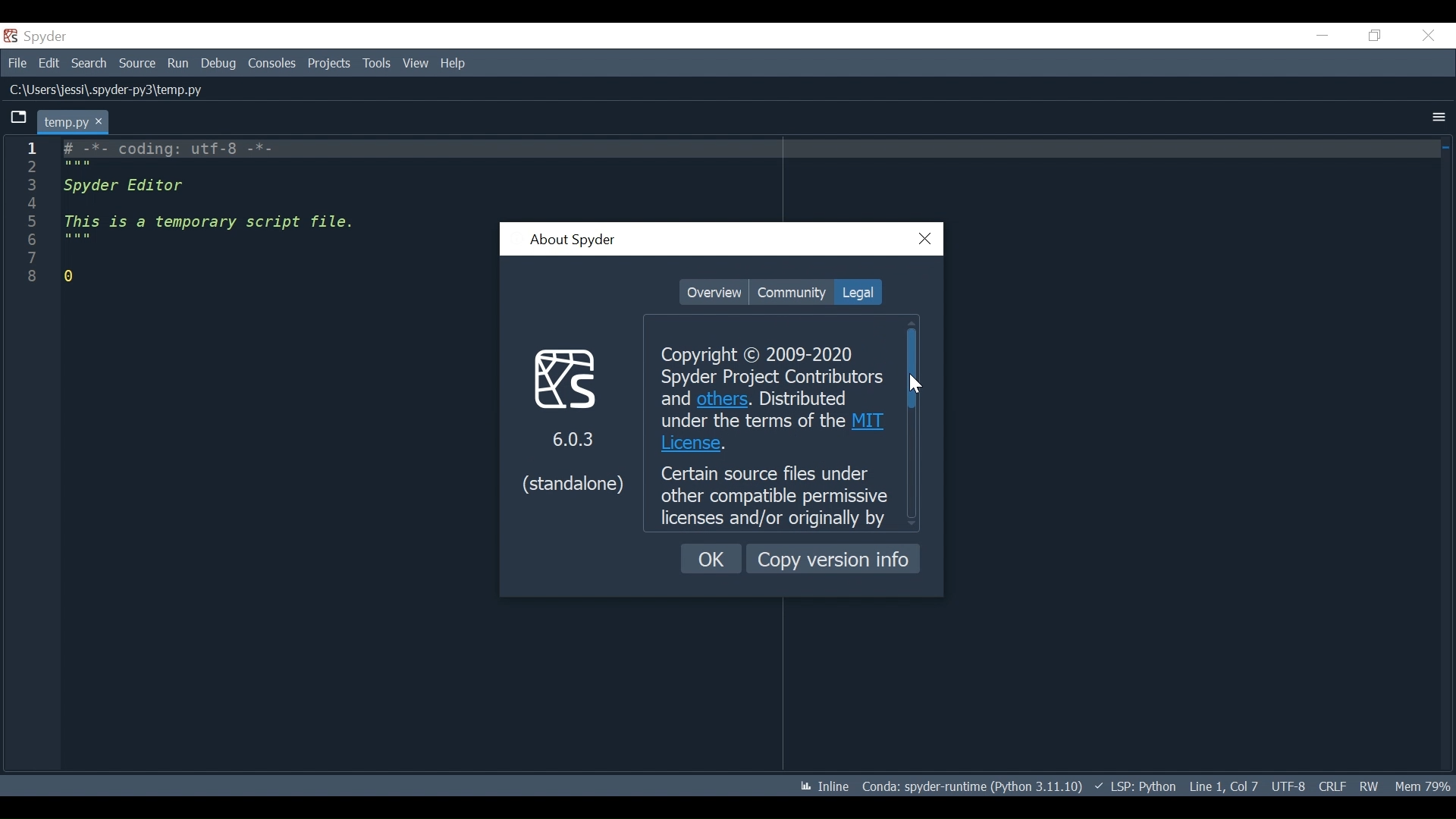  I want to click on Conda: spyder-runtime (Python 3.11.10), so click(973, 789).